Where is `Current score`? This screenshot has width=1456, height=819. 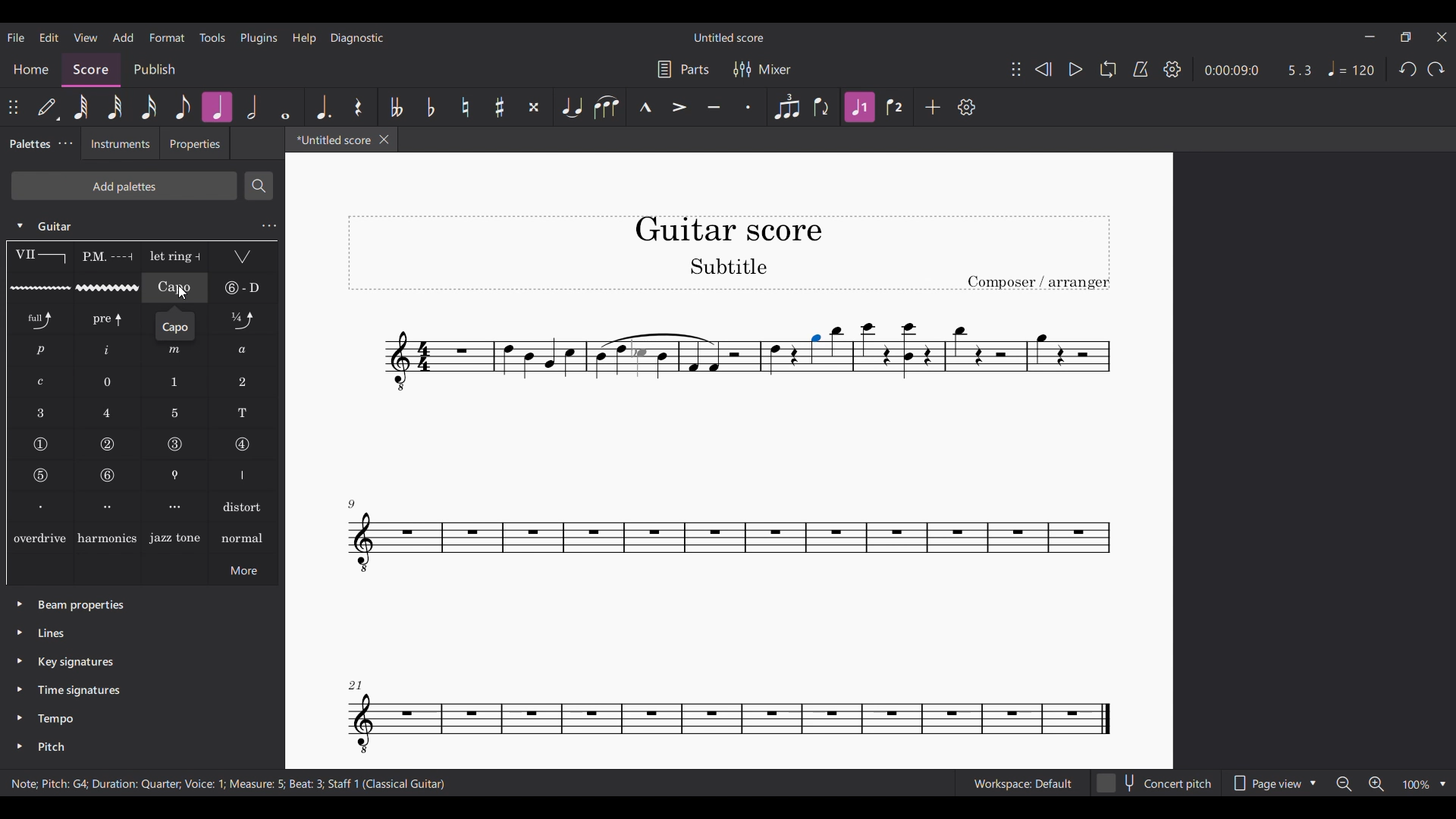 Current score is located at coordinates (733, 462).